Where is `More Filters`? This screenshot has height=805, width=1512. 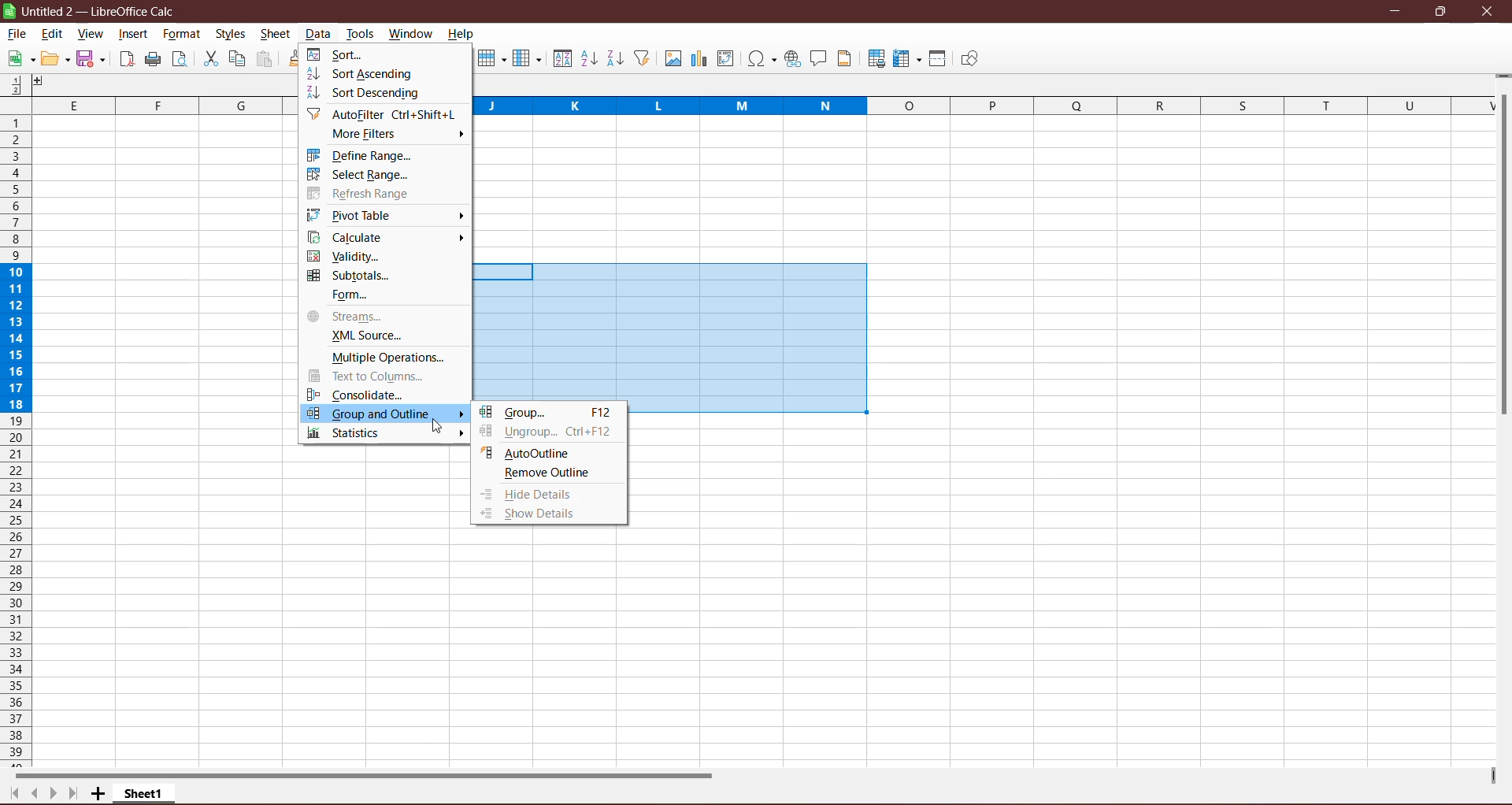
More Filters is located at coordinates (371, 135).